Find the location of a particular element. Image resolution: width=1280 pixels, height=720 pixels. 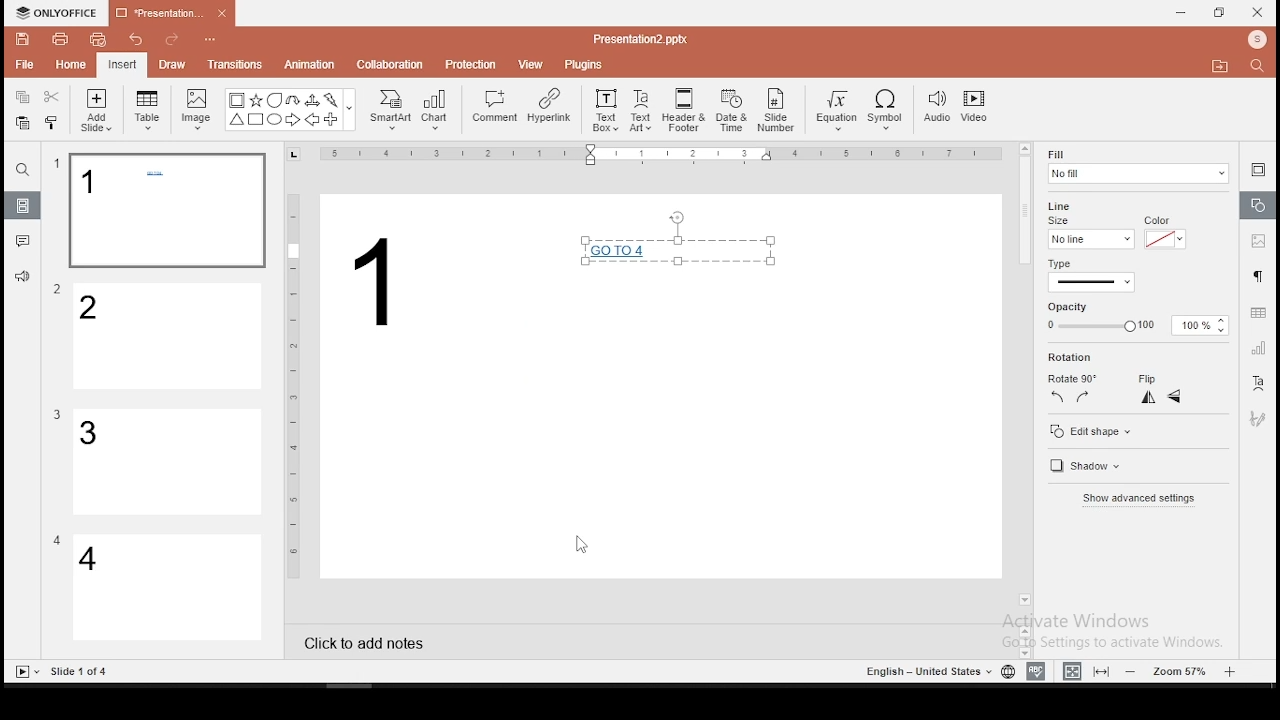

 is located at coordinates (58, 290).